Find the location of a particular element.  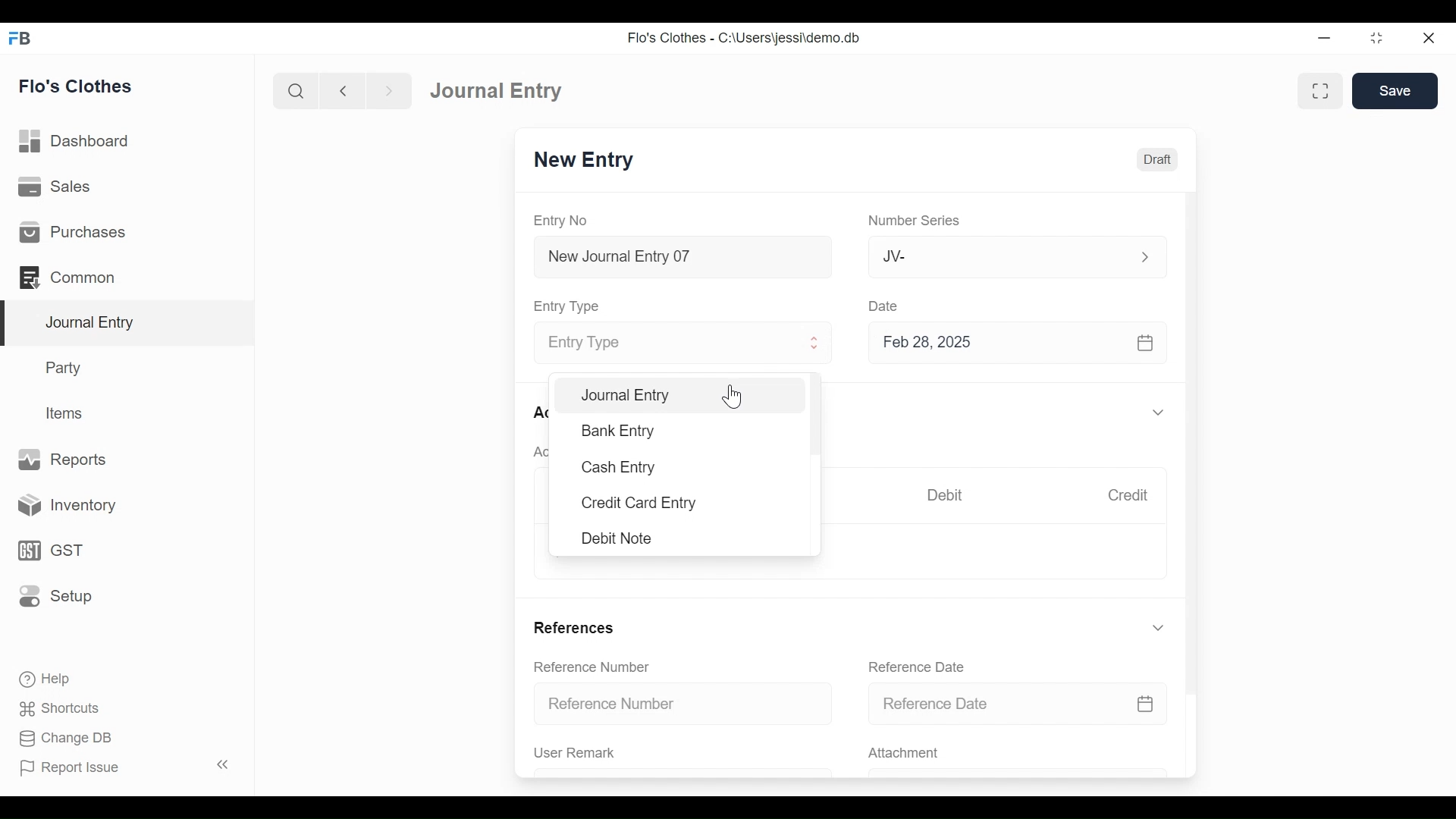

Common is located at coordinates (70, 277).